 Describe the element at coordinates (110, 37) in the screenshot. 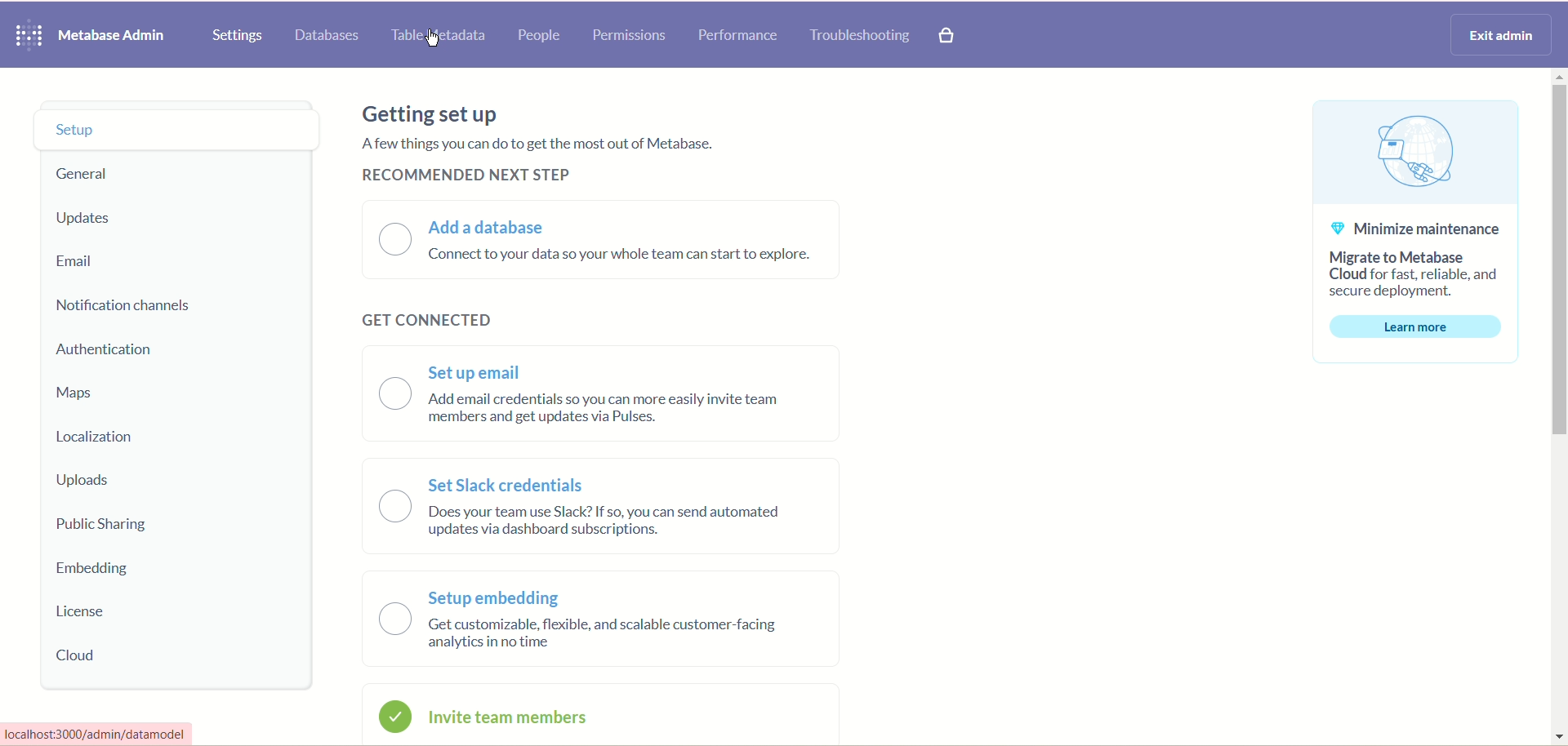

I see `metabase admin` at that location.